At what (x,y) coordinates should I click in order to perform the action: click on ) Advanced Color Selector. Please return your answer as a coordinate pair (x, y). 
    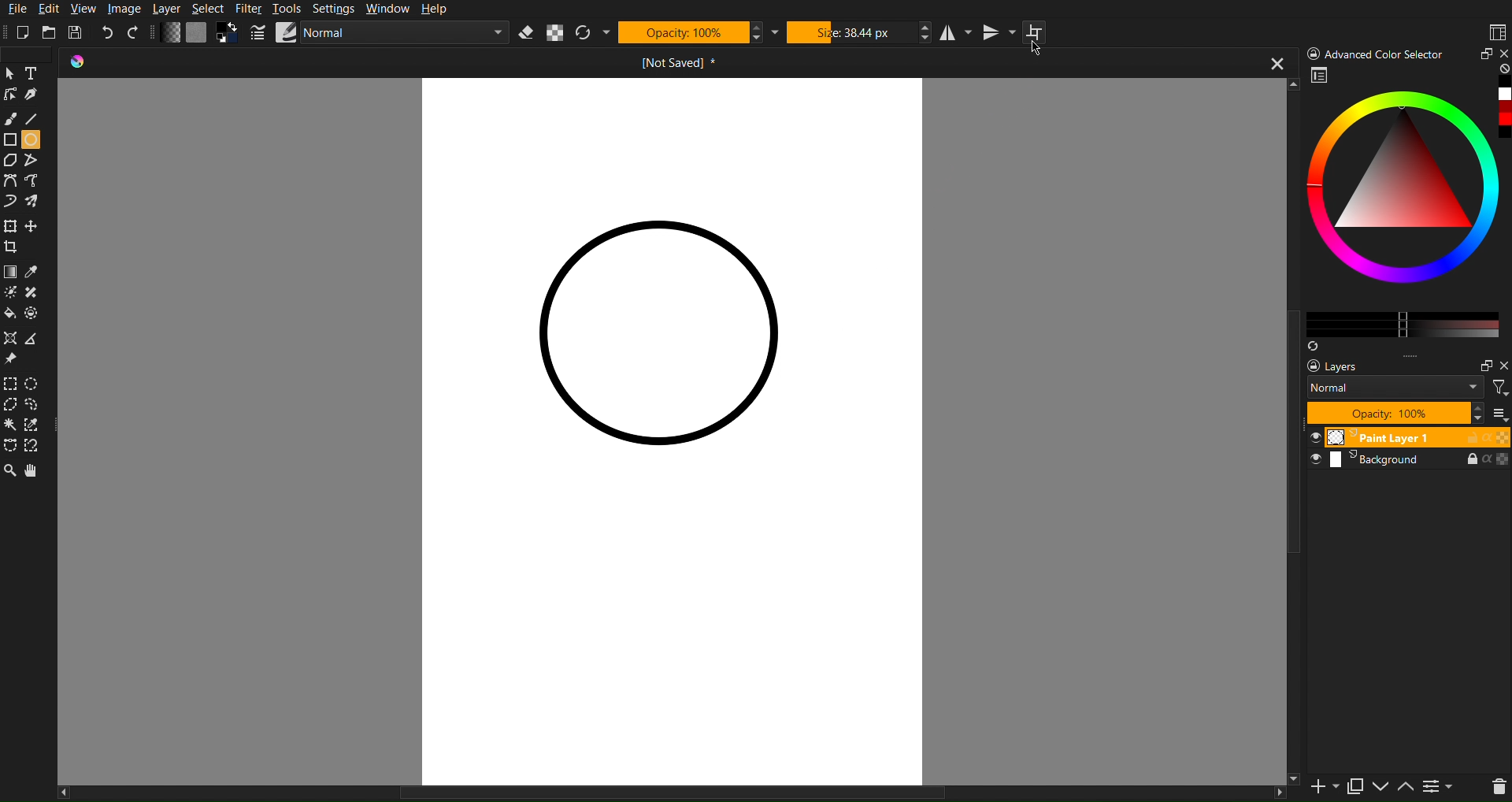
    Looking at the image, I should click on (1369, 50).